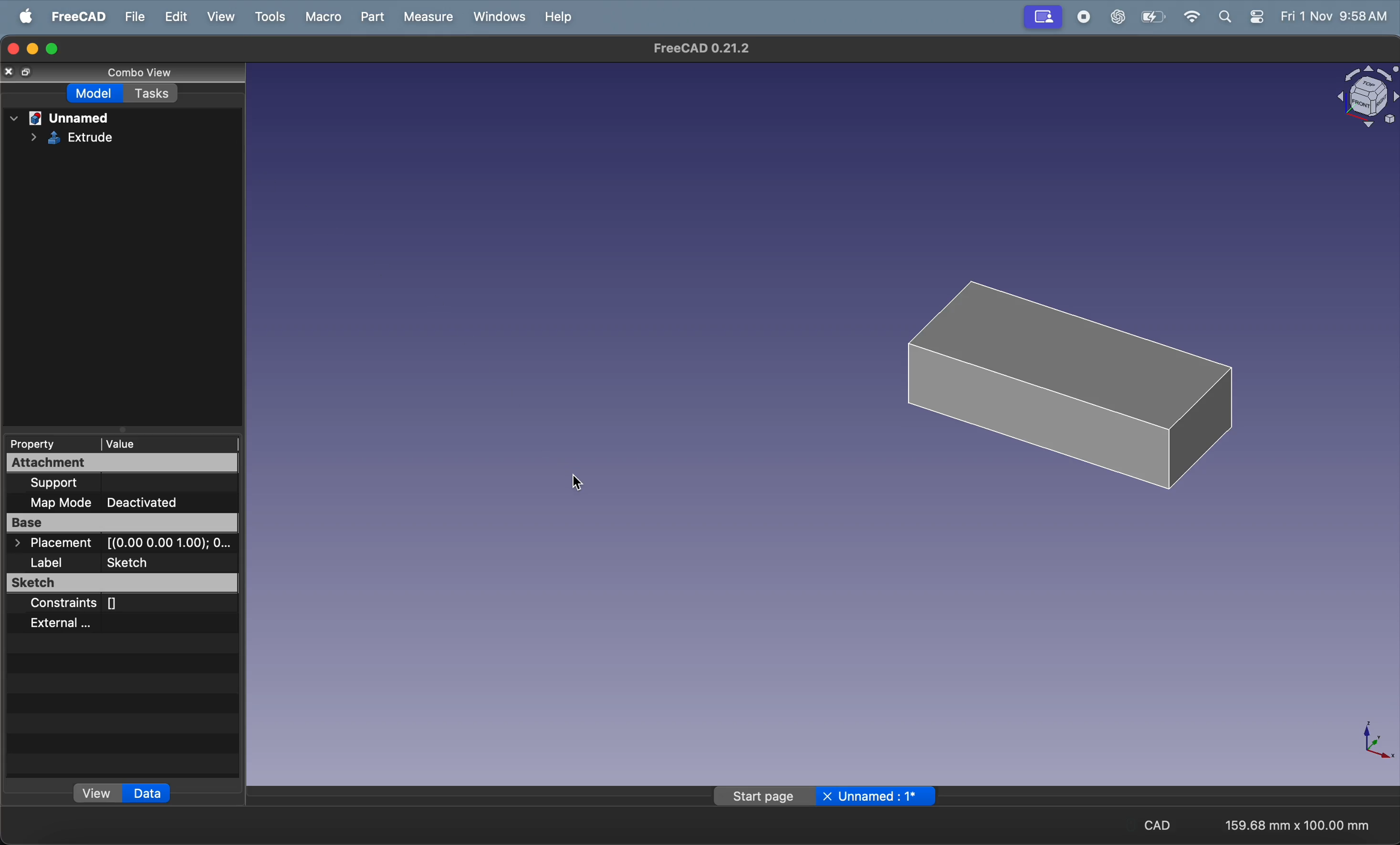 This screenshot has height=845, width=1400. Describe the element at coordinates (153, 794) in the screenshot. I see `data` at that location.